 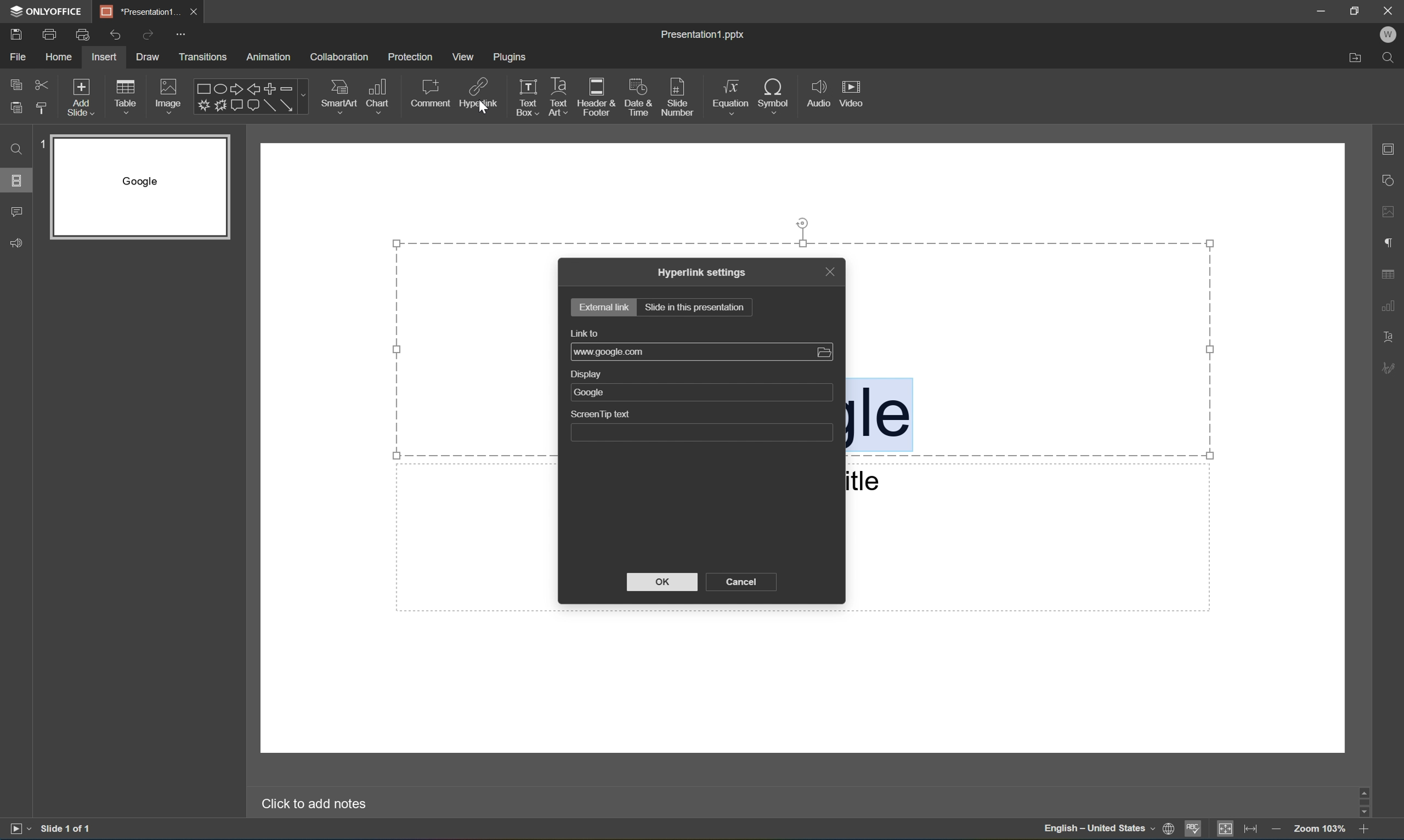 What do you see at coordinates (701, 34) in the screenshot?
I see `Presentation1.pptx` at bounding box center [701, 34].